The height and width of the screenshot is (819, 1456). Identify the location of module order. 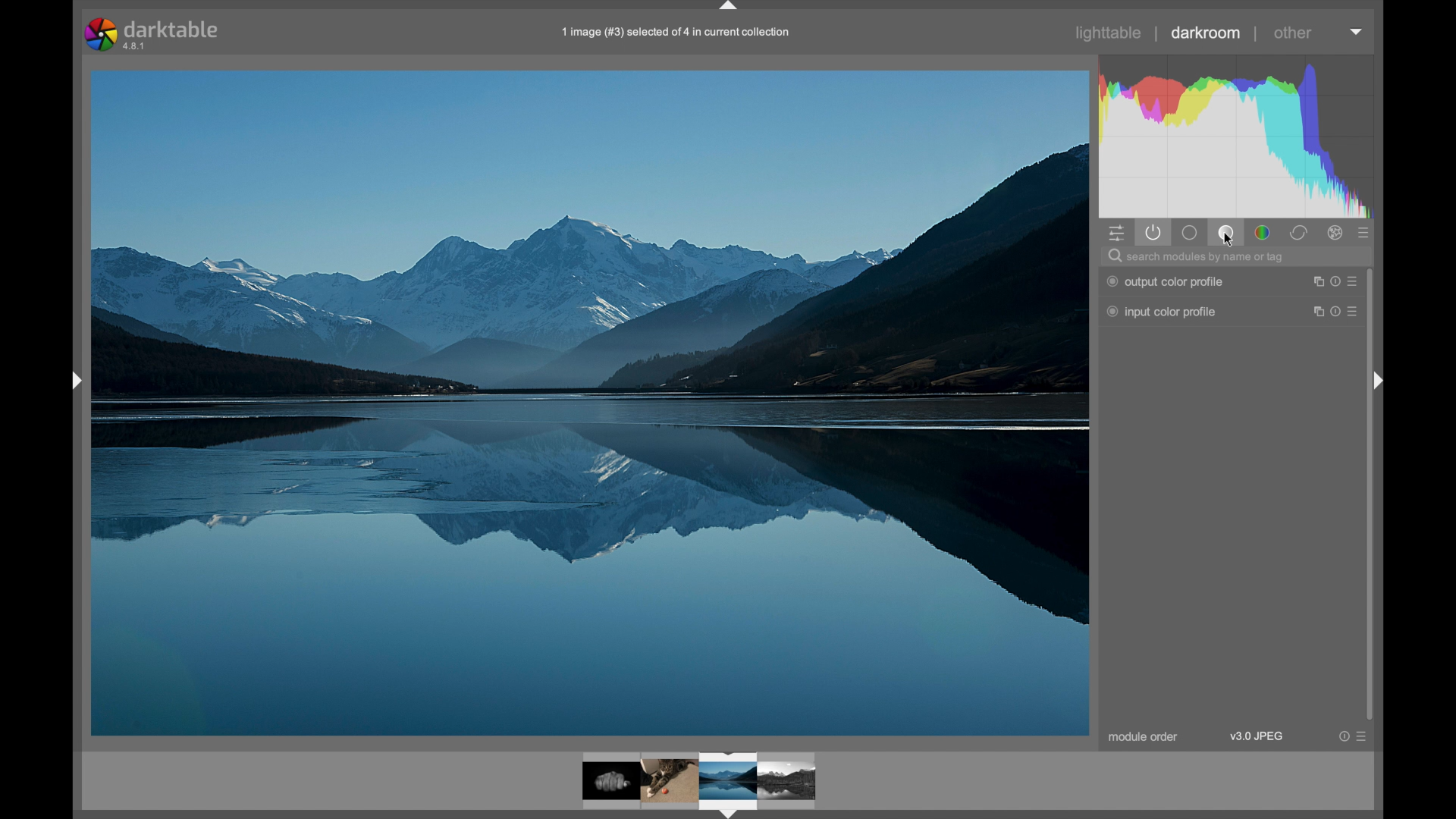
(1145, 737).